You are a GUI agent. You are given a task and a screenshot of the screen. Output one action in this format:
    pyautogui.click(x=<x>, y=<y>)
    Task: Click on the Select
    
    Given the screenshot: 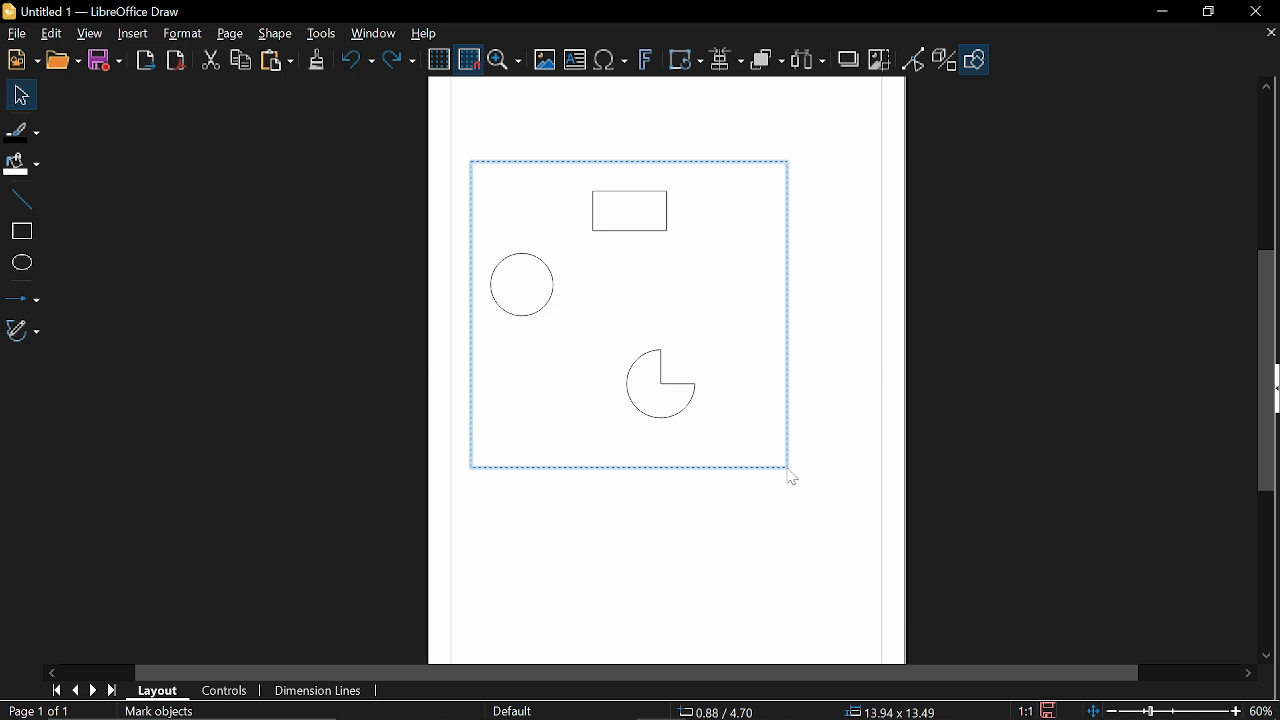 What is the action you would take?
    pyautogui.click(x=19, y=95)
    